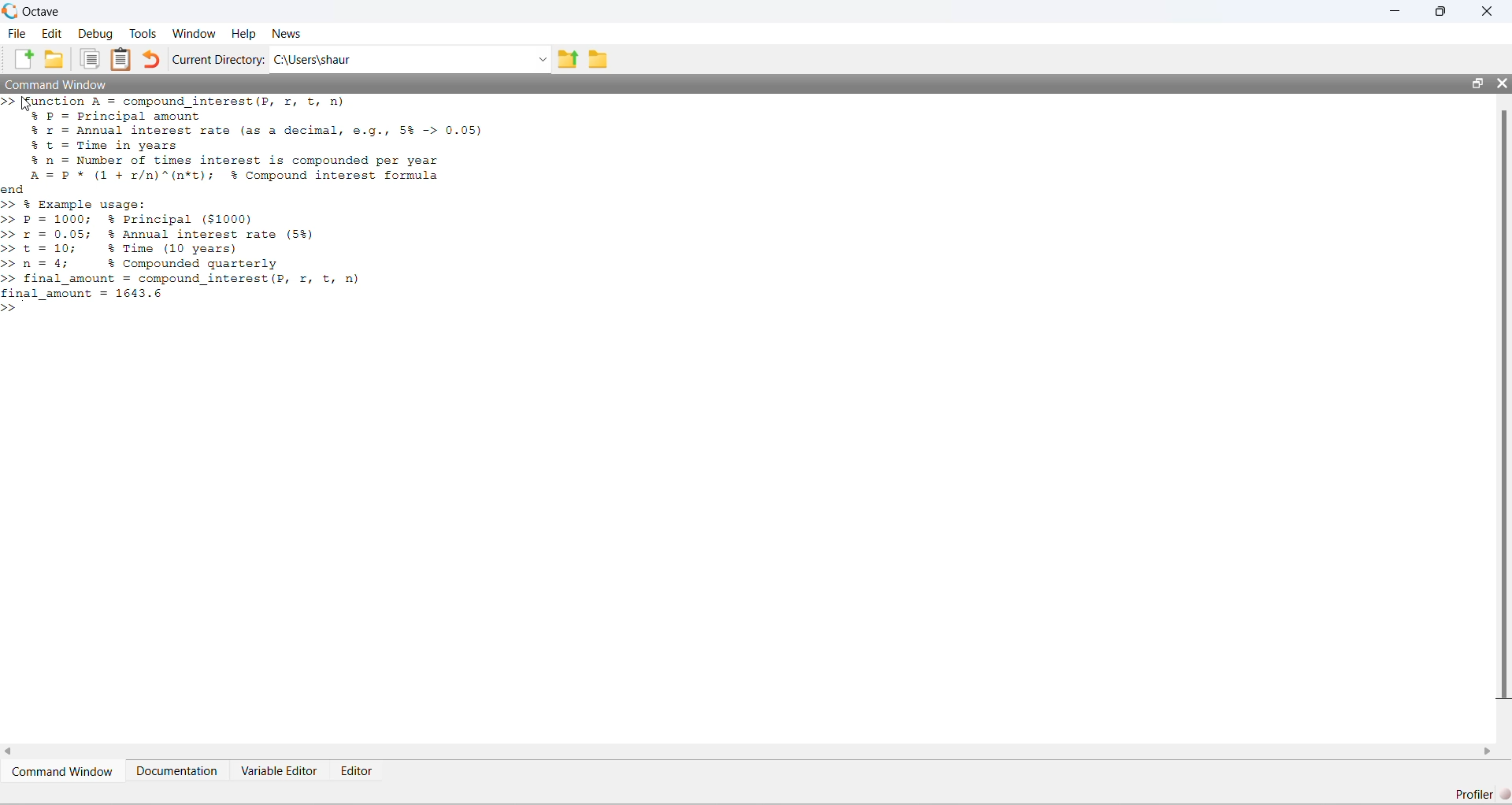 This screenshot has height=805, width=1512. Describe the element at coordinates (51, 33) in the screenshot. I see `Edit` at that location.